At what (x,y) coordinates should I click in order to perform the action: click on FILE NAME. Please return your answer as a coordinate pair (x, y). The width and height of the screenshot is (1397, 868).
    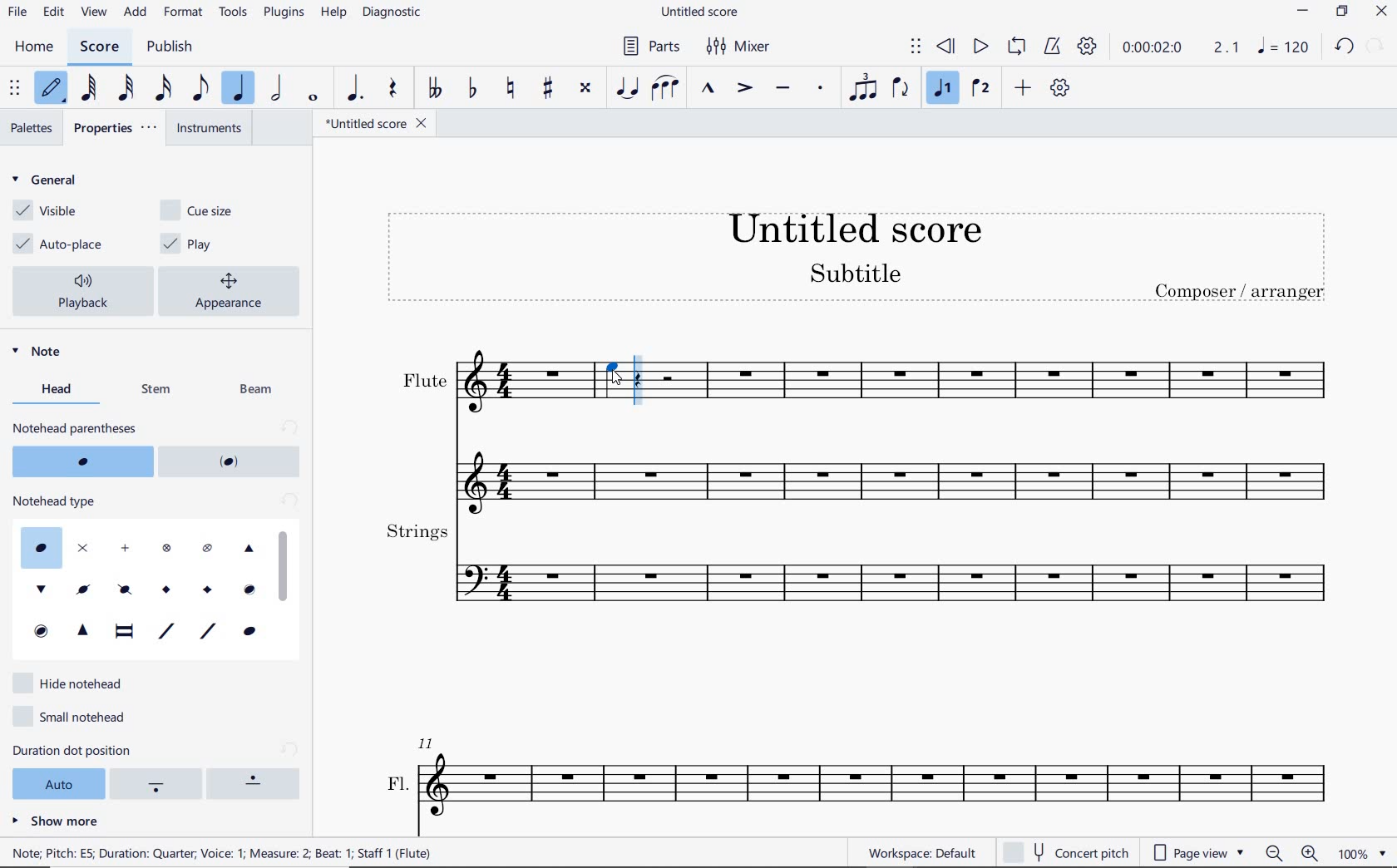
    Looking at the image, I should click on (375, 123).